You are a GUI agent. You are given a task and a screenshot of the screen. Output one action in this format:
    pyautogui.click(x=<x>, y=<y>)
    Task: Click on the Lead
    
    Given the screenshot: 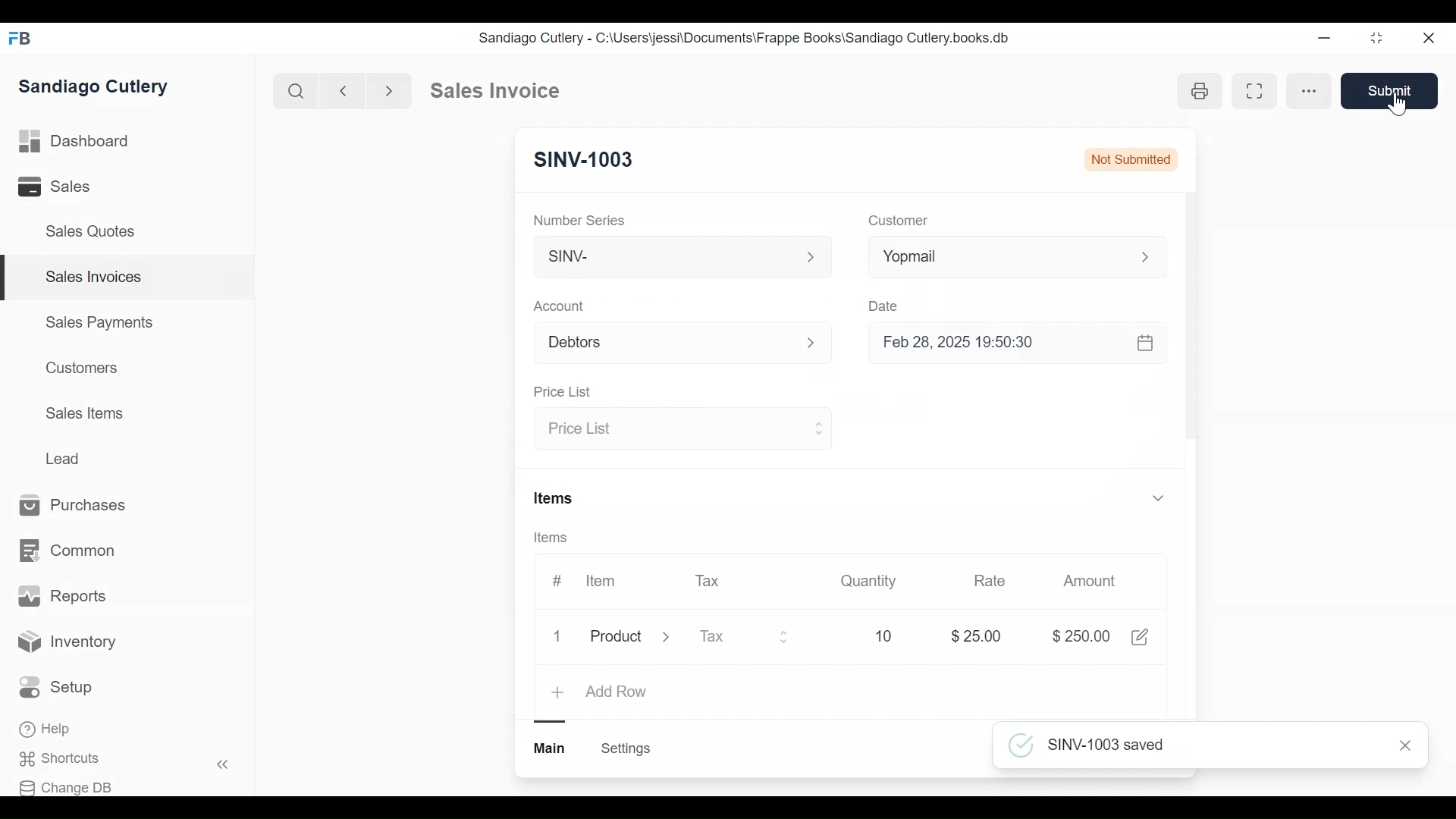 What is the action you would take?
    pyautogui.click(x=64, y=457)
    